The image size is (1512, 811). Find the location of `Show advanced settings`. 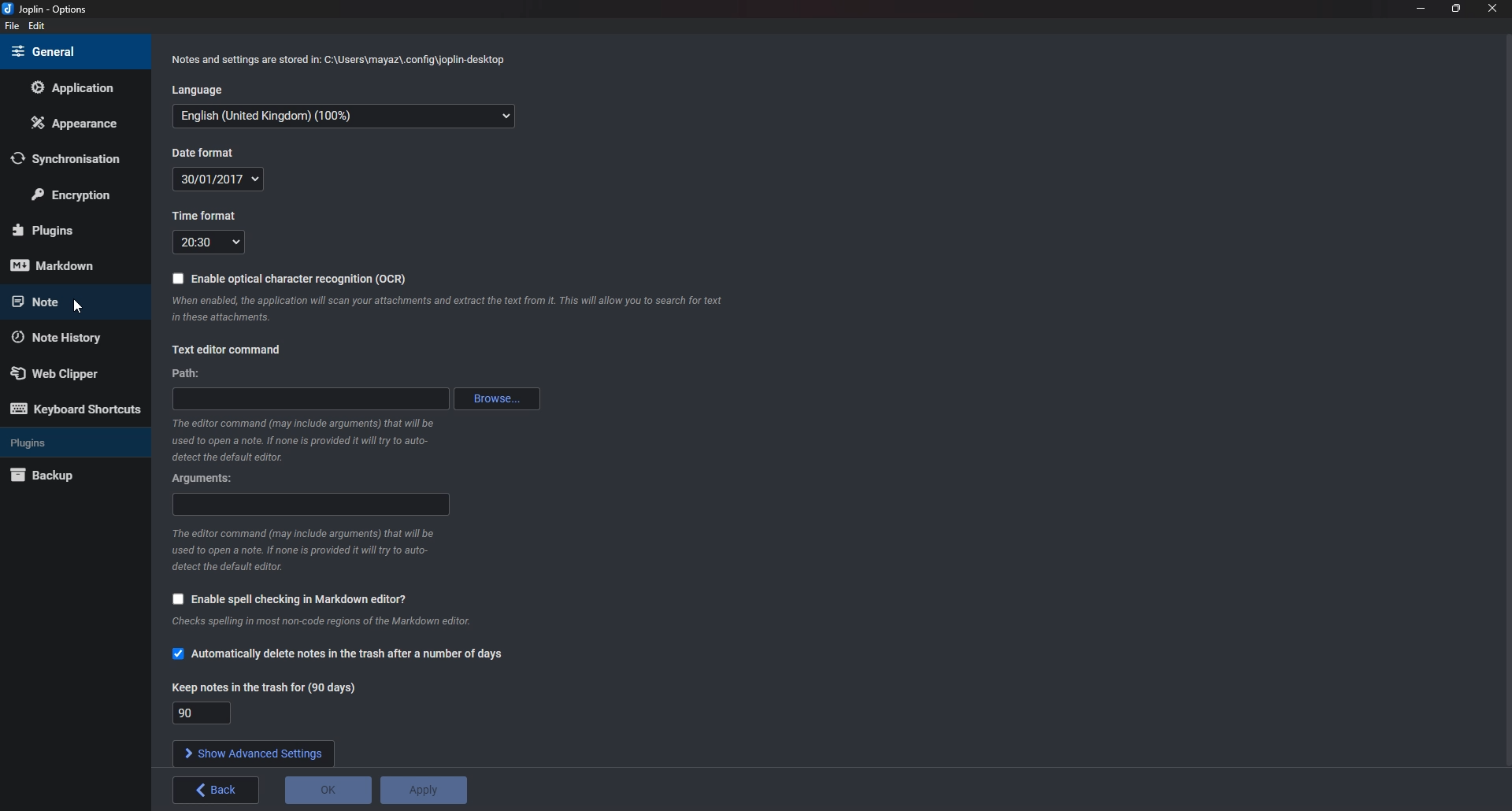

Show advanced settings is located at coordinates (255, 754).